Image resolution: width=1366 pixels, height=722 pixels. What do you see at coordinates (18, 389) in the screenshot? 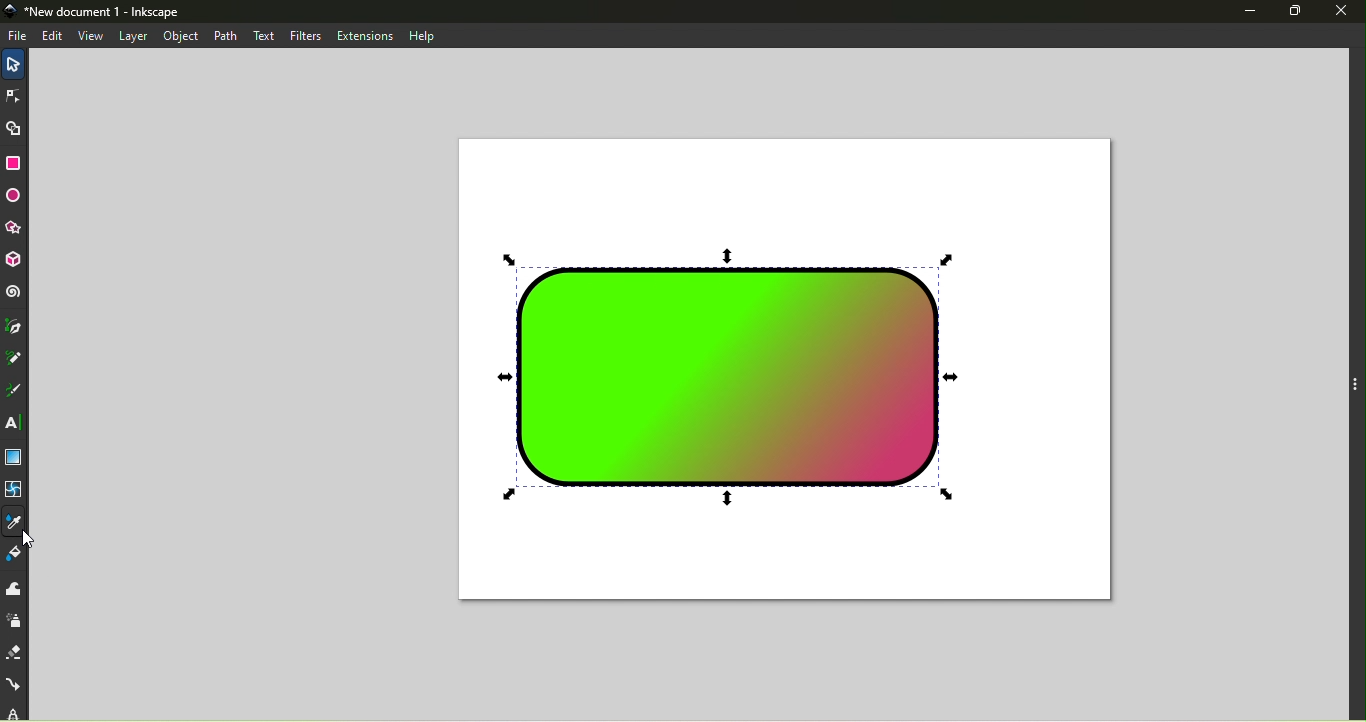
I see `Calligraphy` at bounding box center [18, 389].